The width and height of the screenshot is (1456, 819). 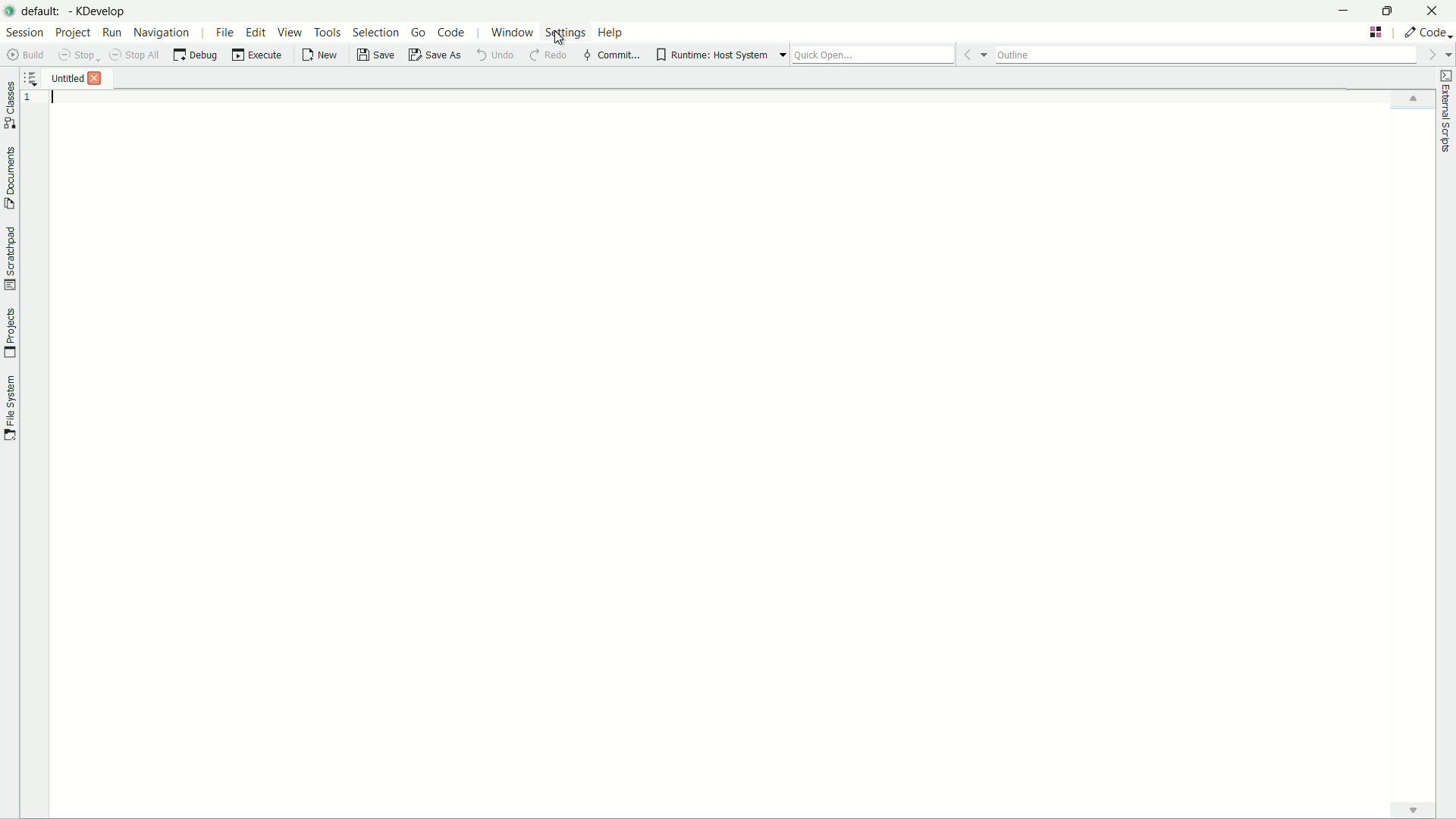 What do you see at coordinates (1446, 111) in the screenshot?
I see `external scripts` at bounding box center [1446, 111].